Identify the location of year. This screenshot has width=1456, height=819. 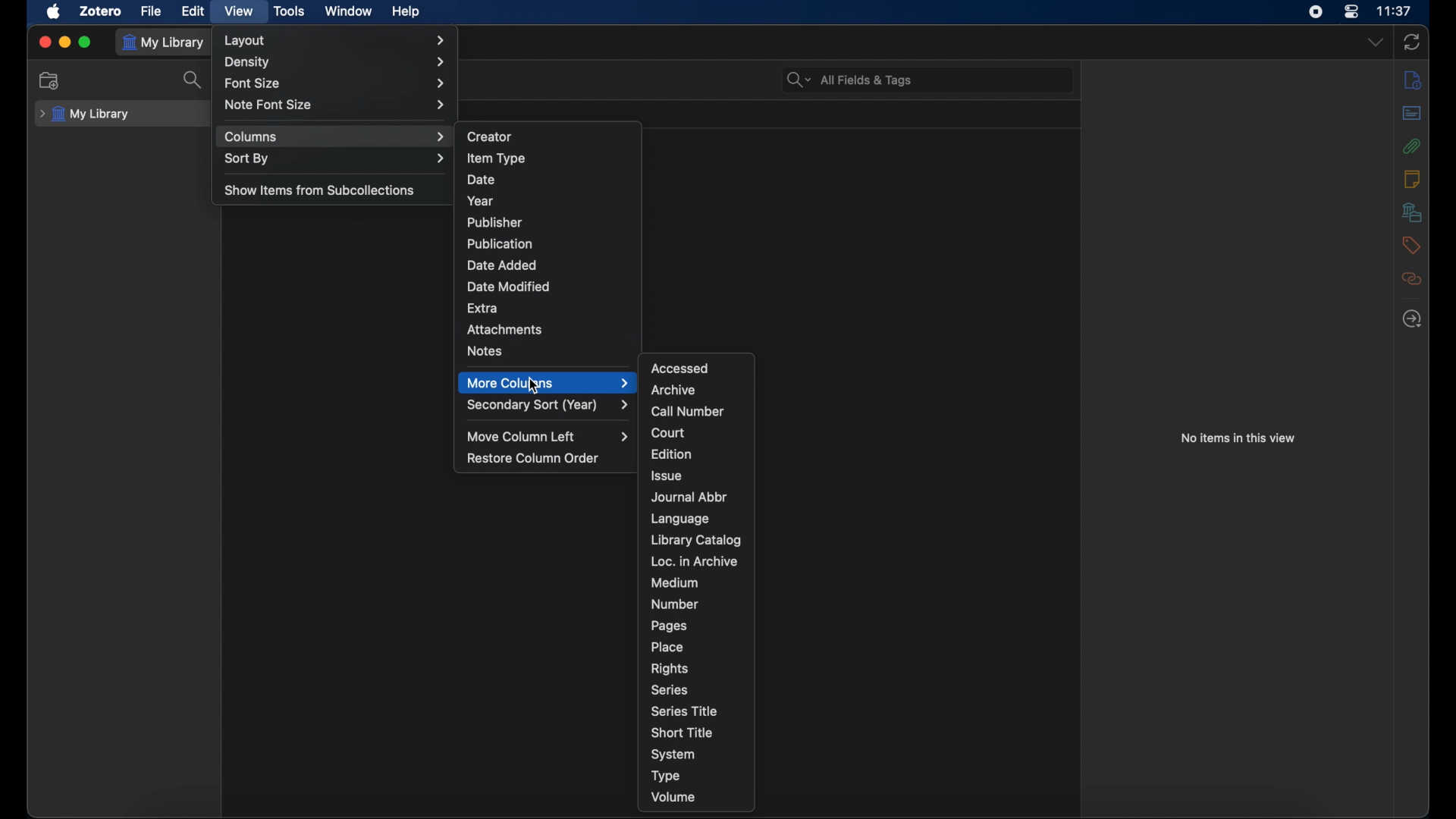
(481, 201).